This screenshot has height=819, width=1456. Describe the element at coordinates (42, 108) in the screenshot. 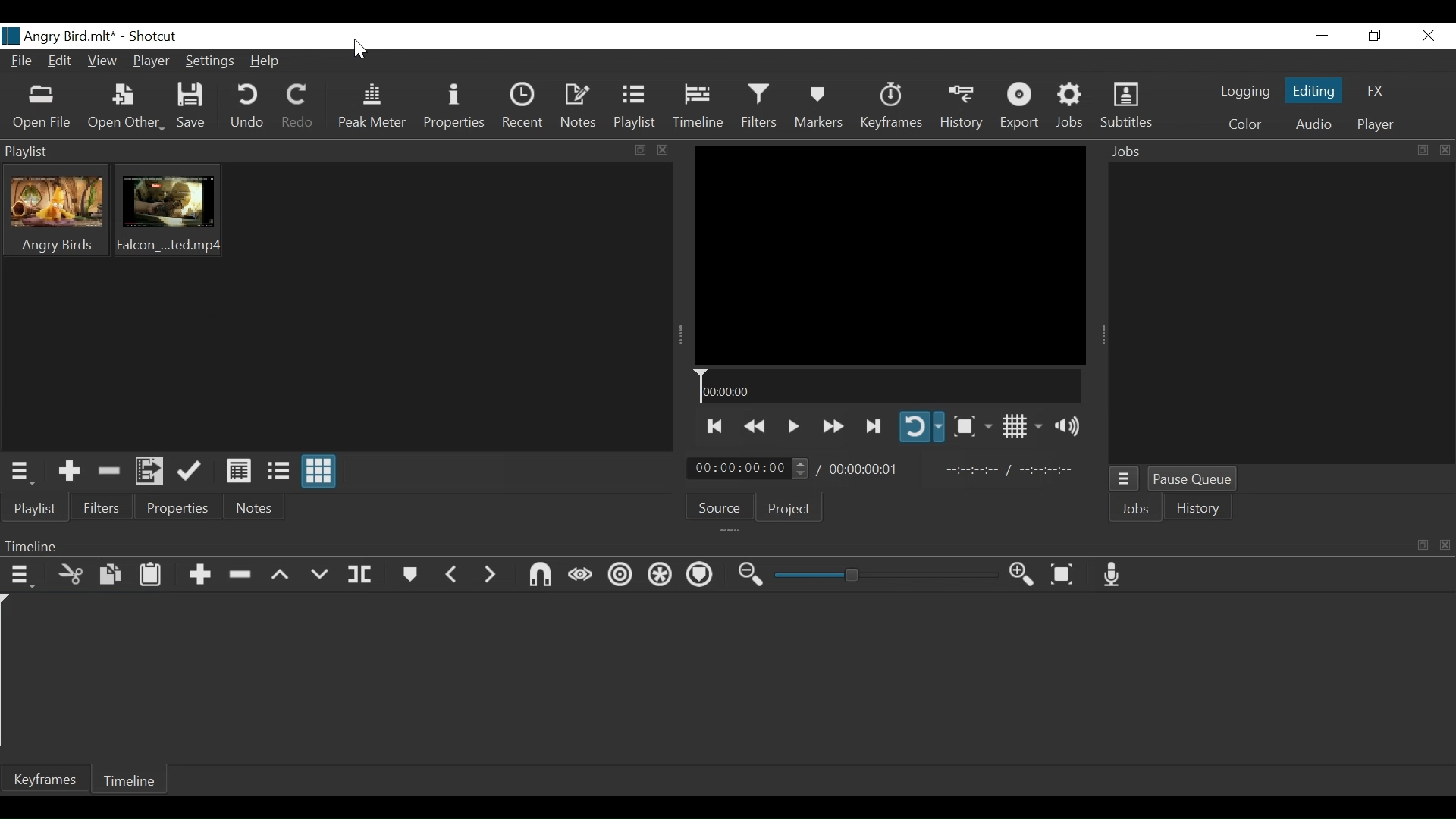

I see `Open File` at that location.